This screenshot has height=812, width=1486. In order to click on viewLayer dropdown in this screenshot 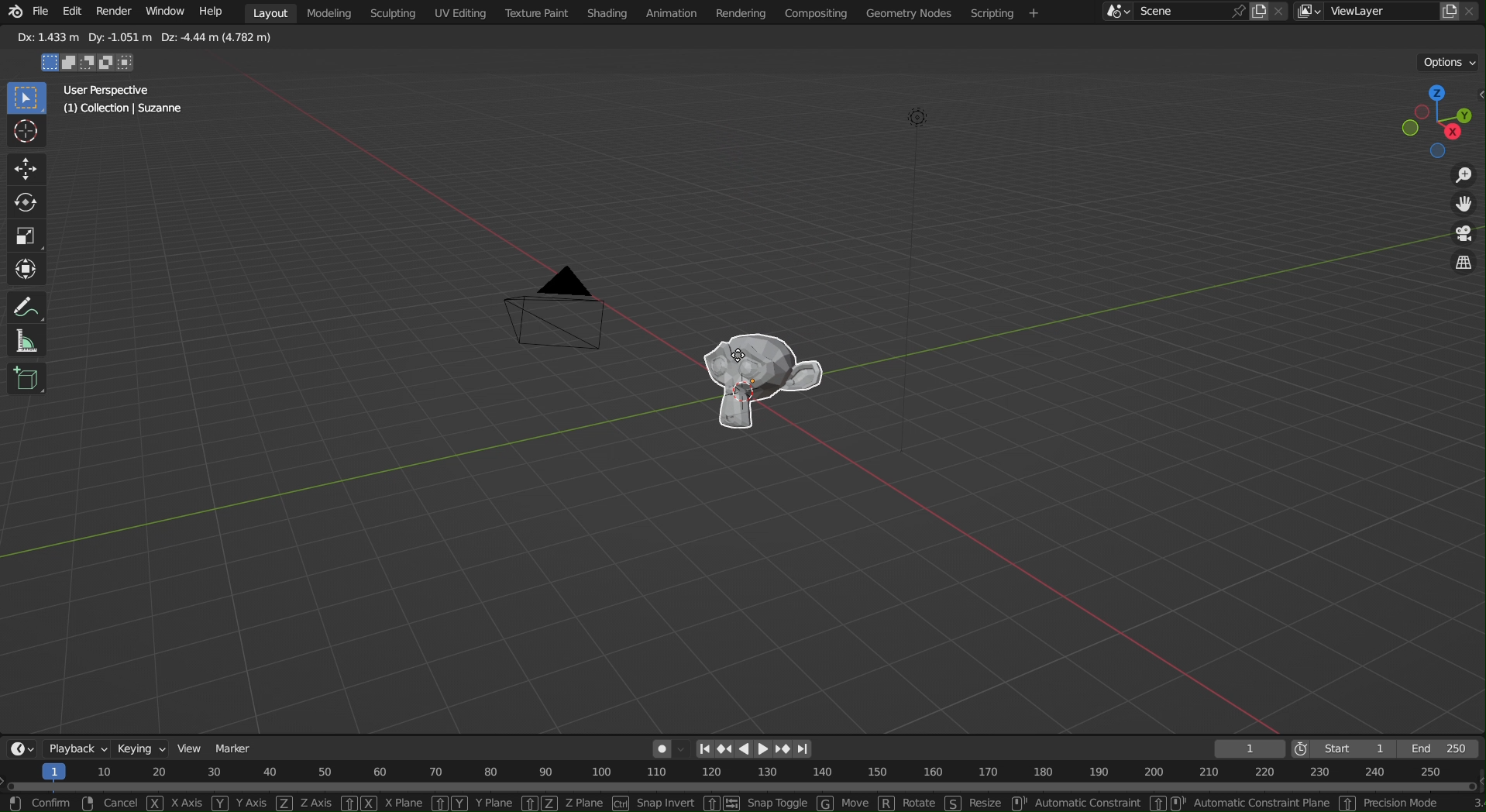, I will do `click(1310, 12)`.